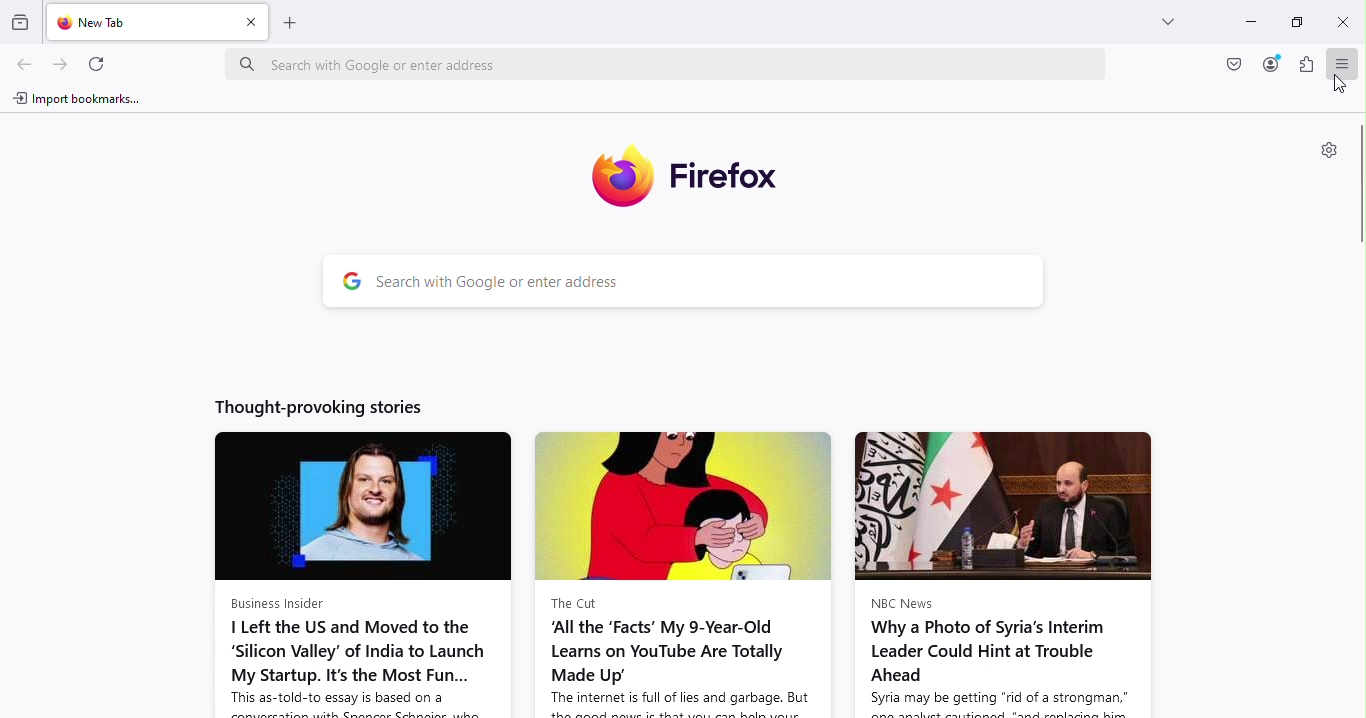 The width and height of the screenshot is (1366, 718). I want to click on Firefox icon, so click(683, 174).